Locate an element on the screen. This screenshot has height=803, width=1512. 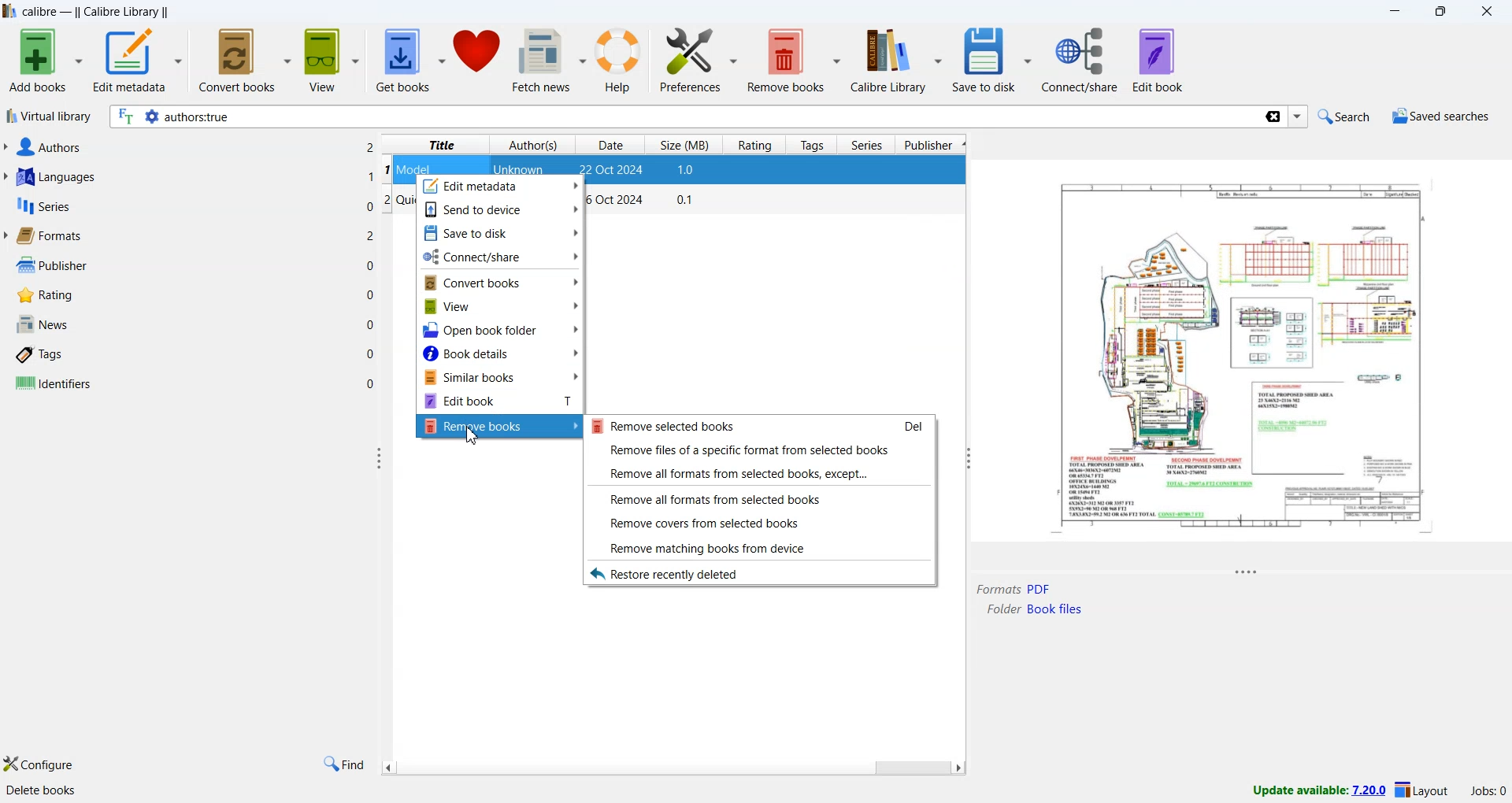
calibre library is located at coordinates (125, 13).